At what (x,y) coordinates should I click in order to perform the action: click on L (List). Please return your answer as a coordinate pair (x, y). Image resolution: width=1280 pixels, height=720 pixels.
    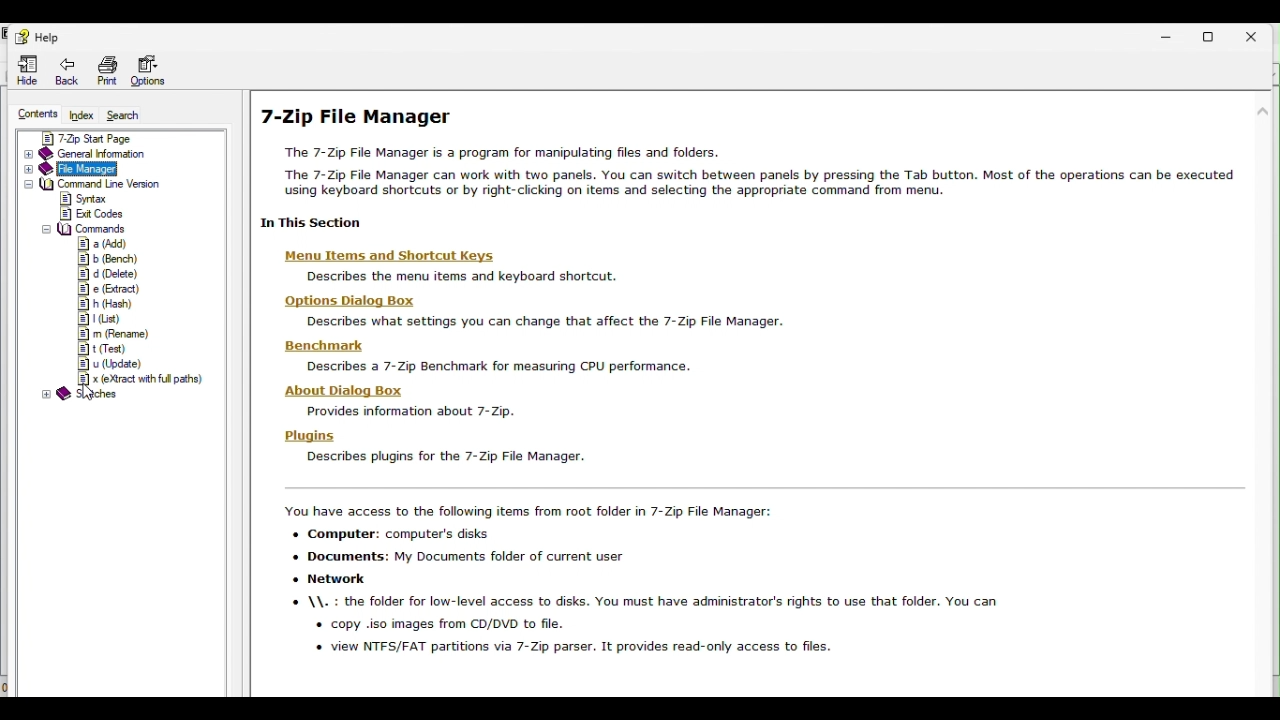
    Looking at the image, I should click on (108, 318).